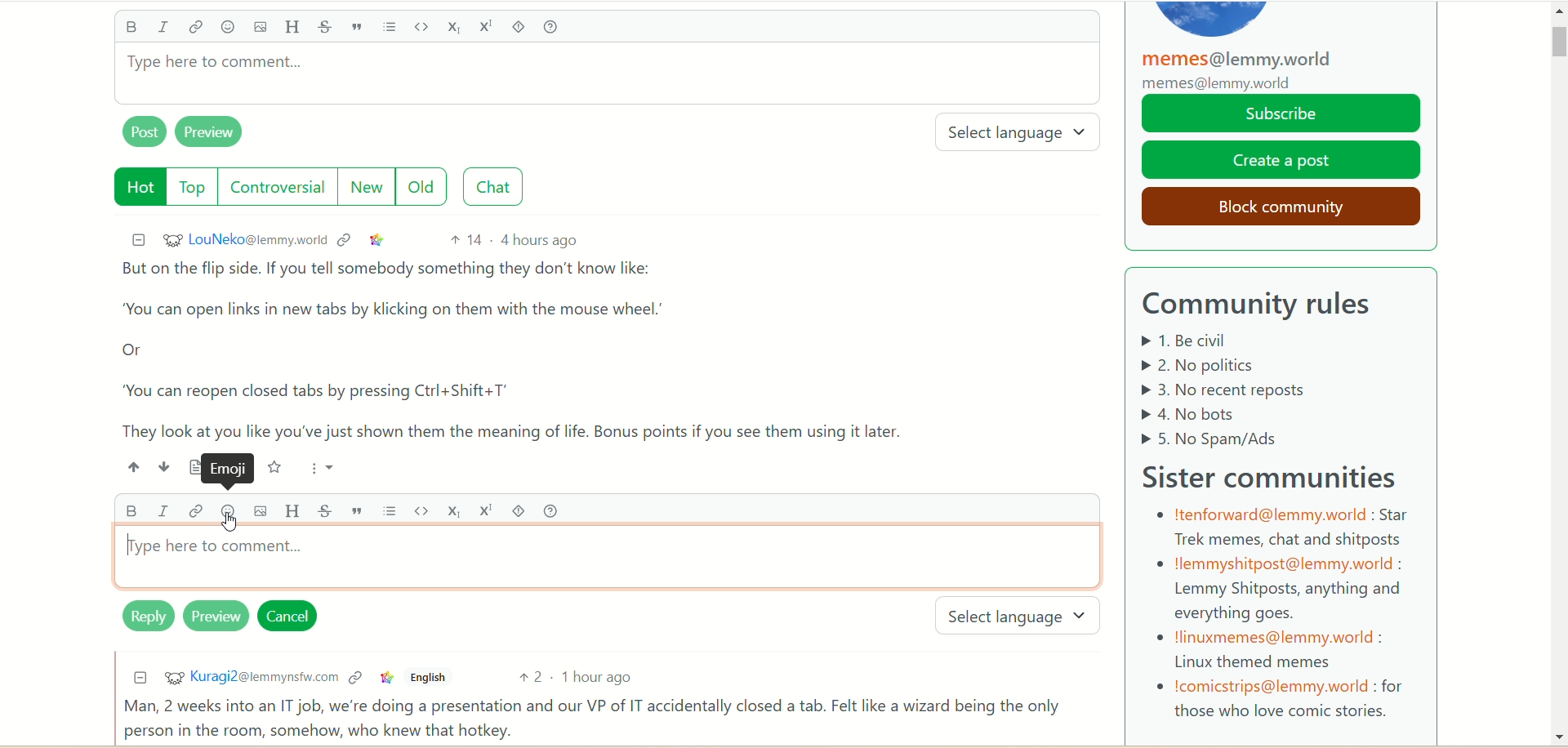 The width and height of the screenshot is (1568, 748). I want to click on 2 votes up, so click(537, 678).